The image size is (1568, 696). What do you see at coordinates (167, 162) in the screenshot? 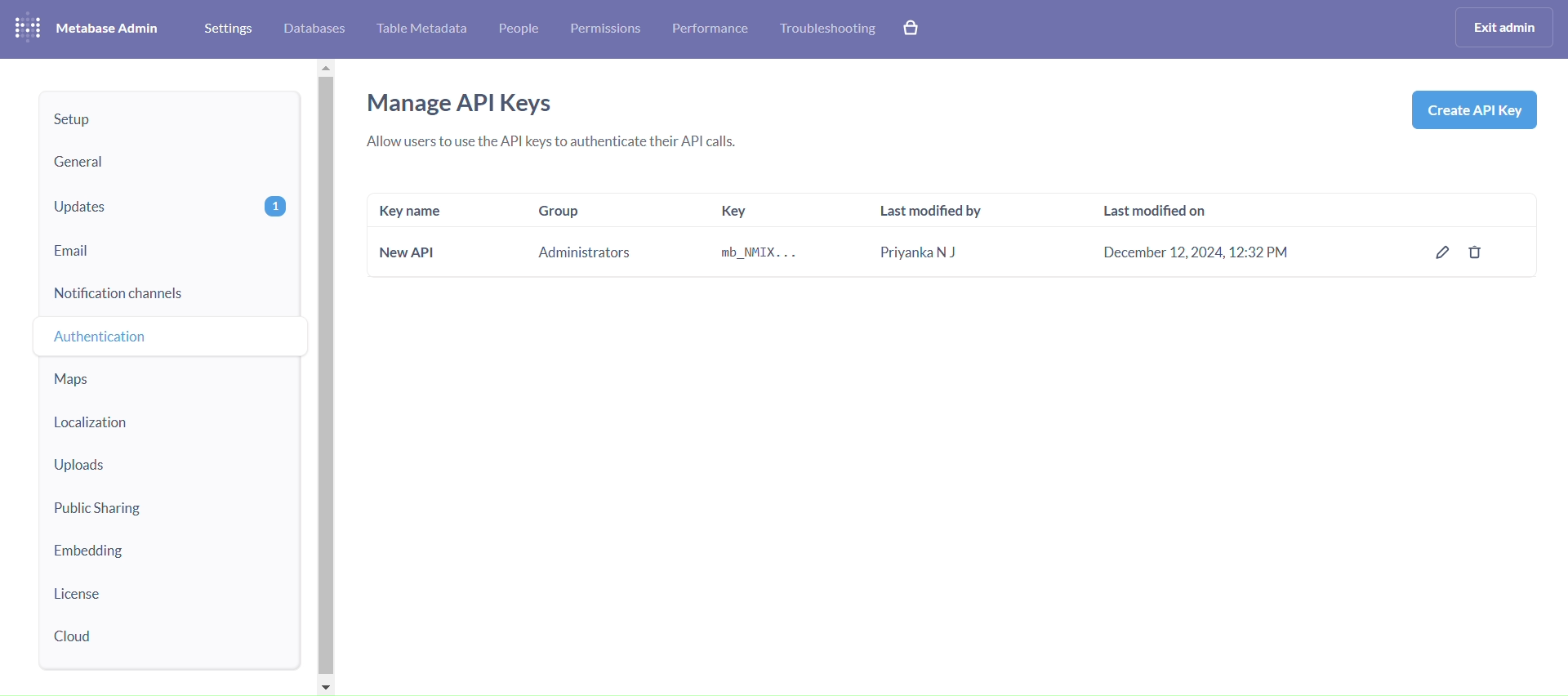
I see `general` at bounding box center [167, 162].